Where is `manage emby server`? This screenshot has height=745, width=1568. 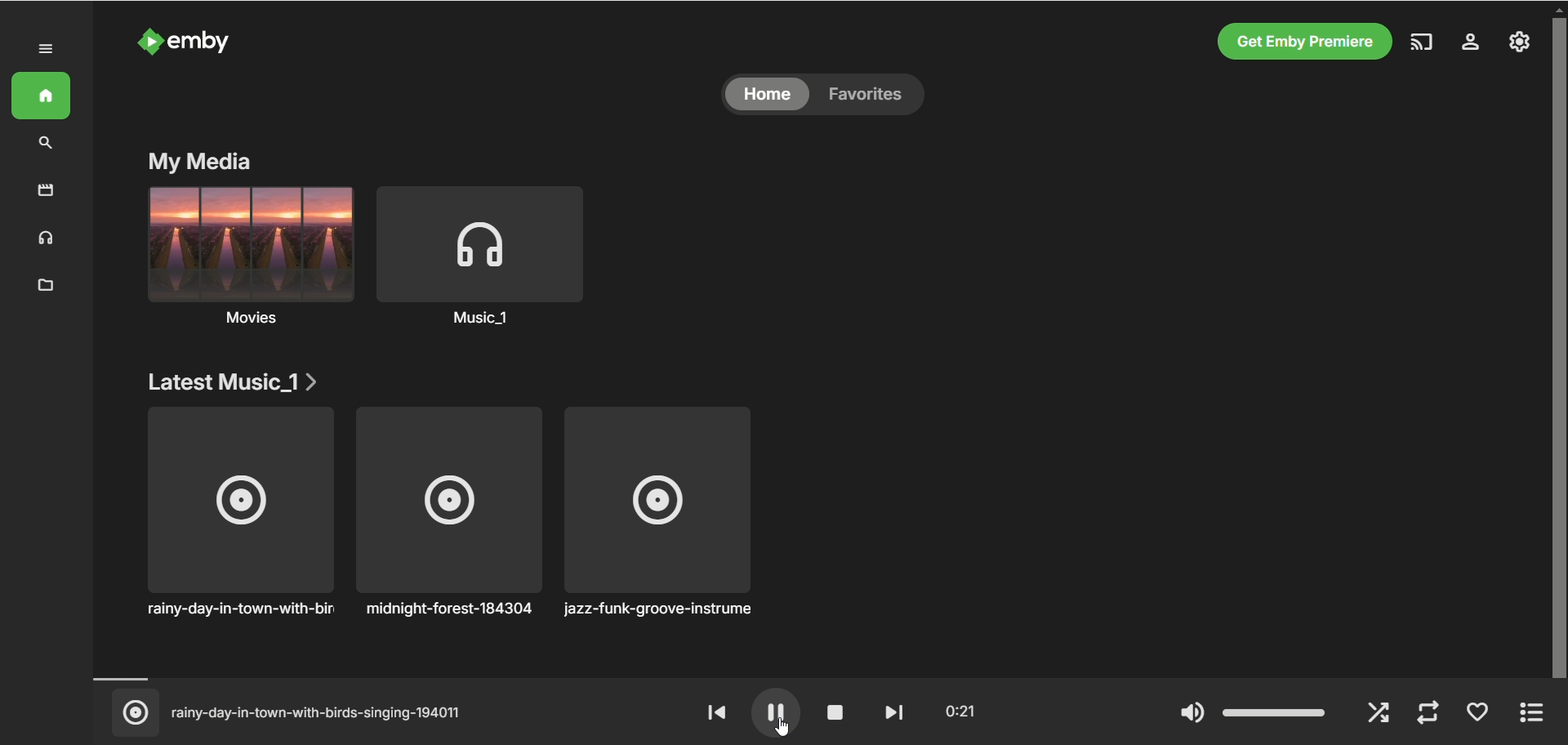
manage emby server is located at coordinates (1517, 43).